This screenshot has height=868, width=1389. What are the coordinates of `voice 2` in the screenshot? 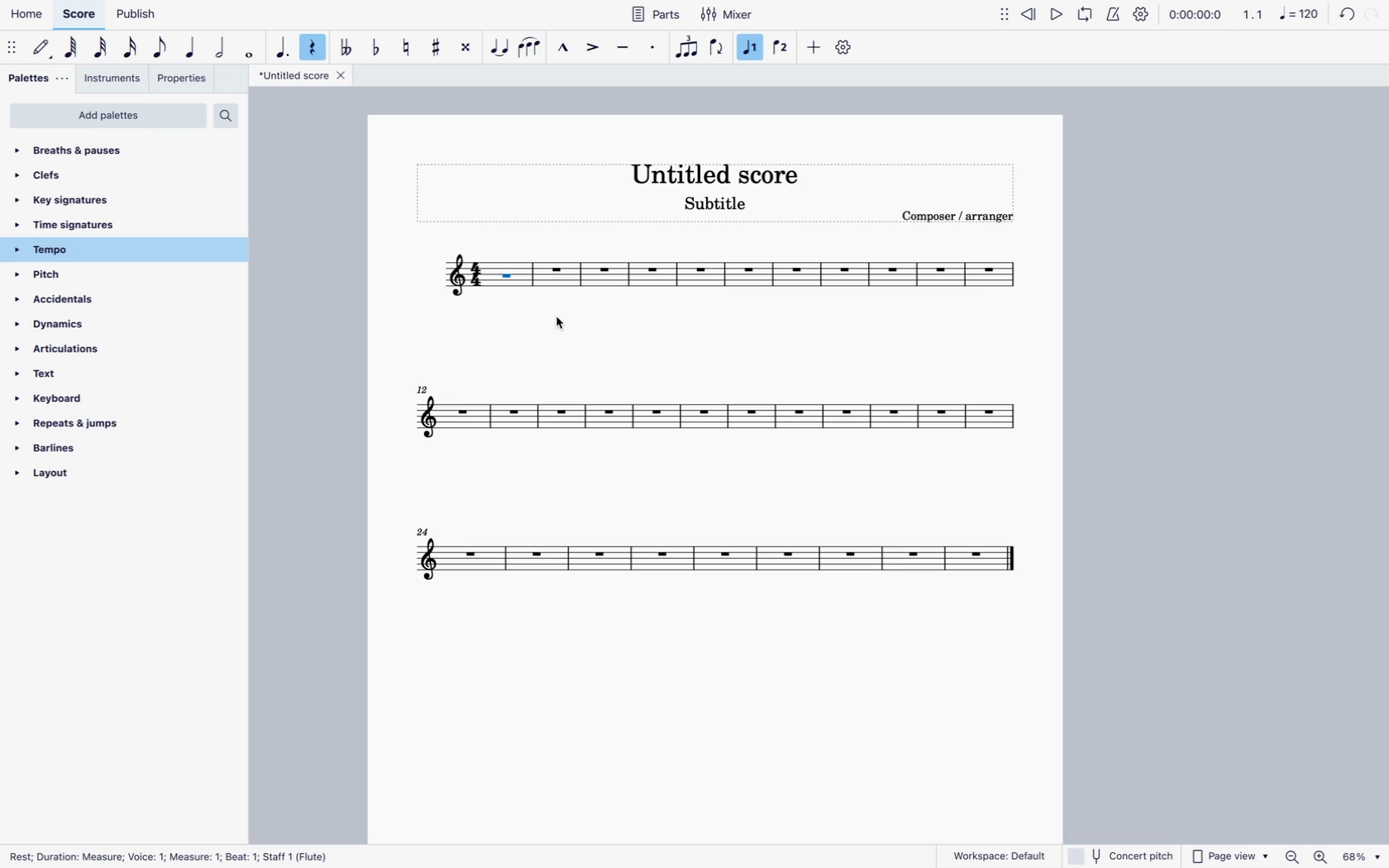 It's located at (782, 47).